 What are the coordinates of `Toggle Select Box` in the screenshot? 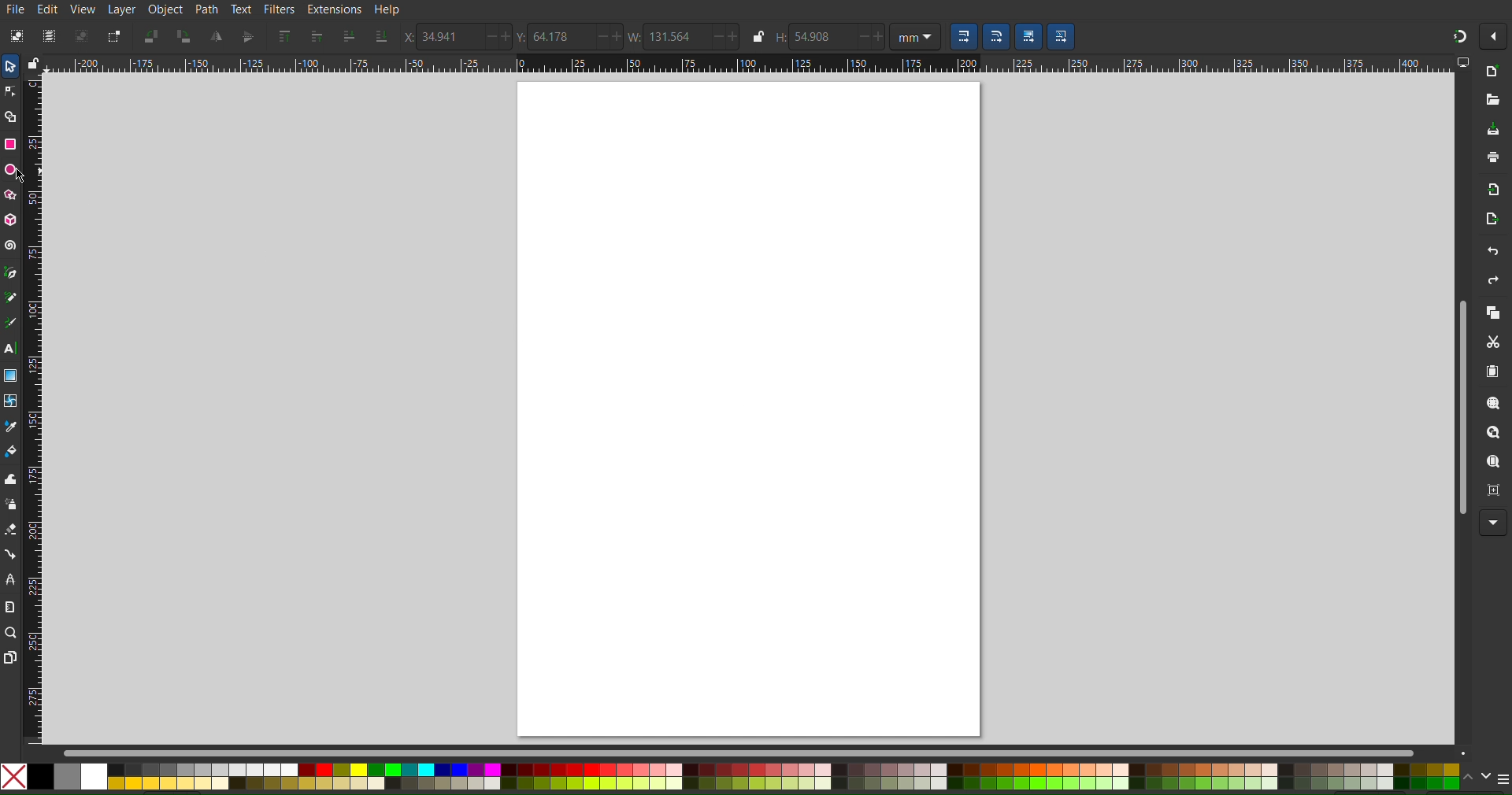 It's located at (113, 36).